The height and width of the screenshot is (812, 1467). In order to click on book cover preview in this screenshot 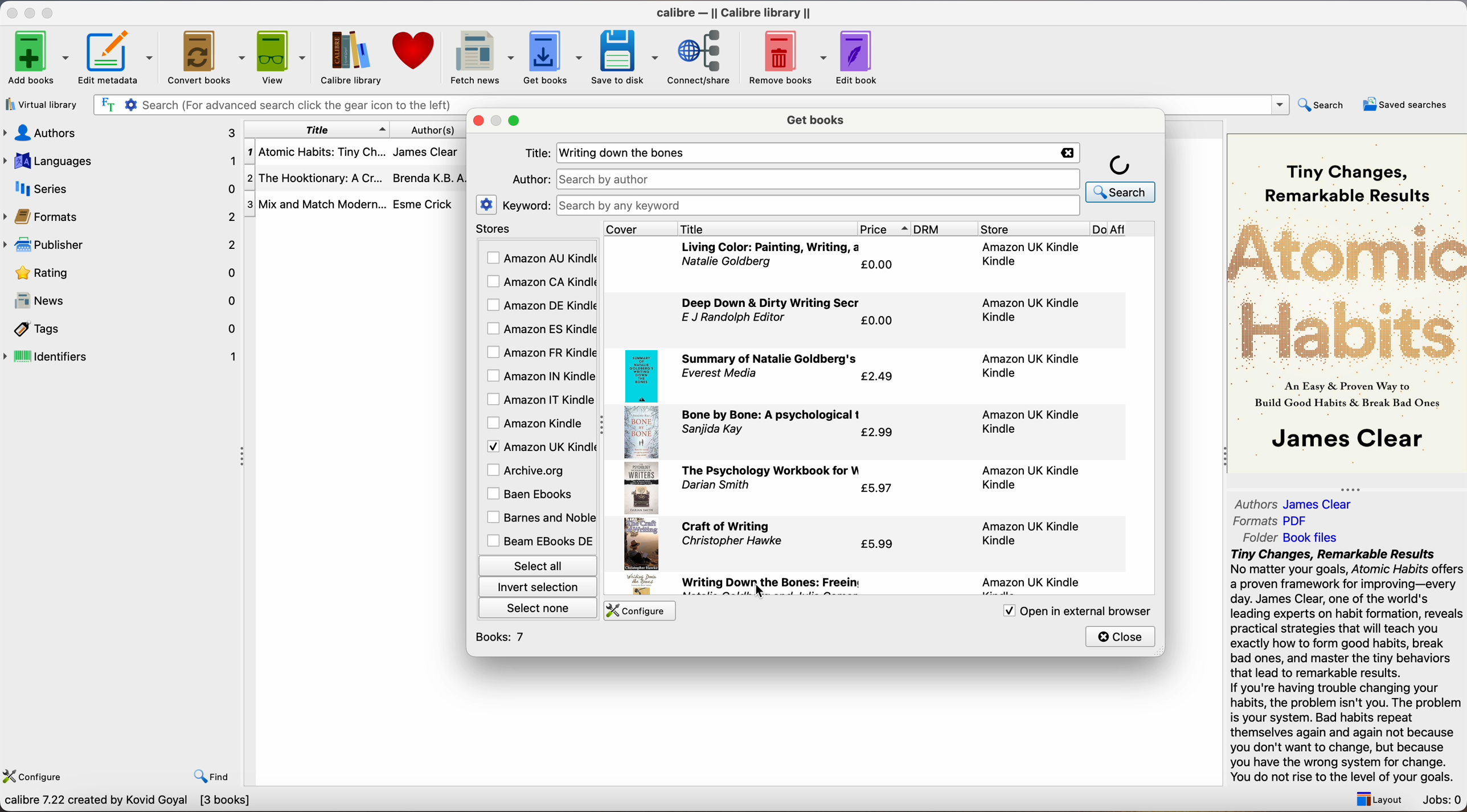, I will do `click(1349, 302)`.